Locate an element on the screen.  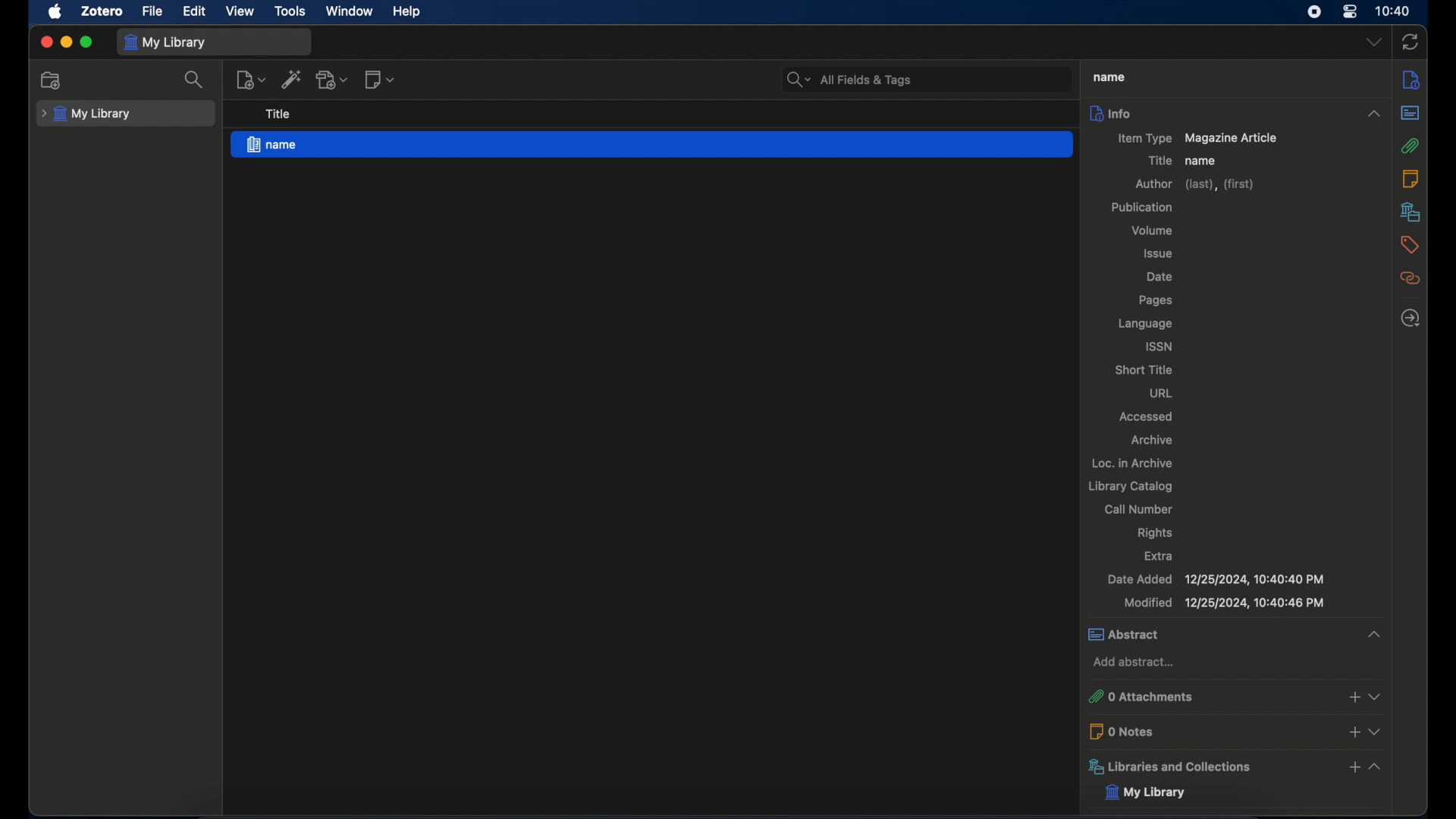
zotero is located at coordinates (100, 11).